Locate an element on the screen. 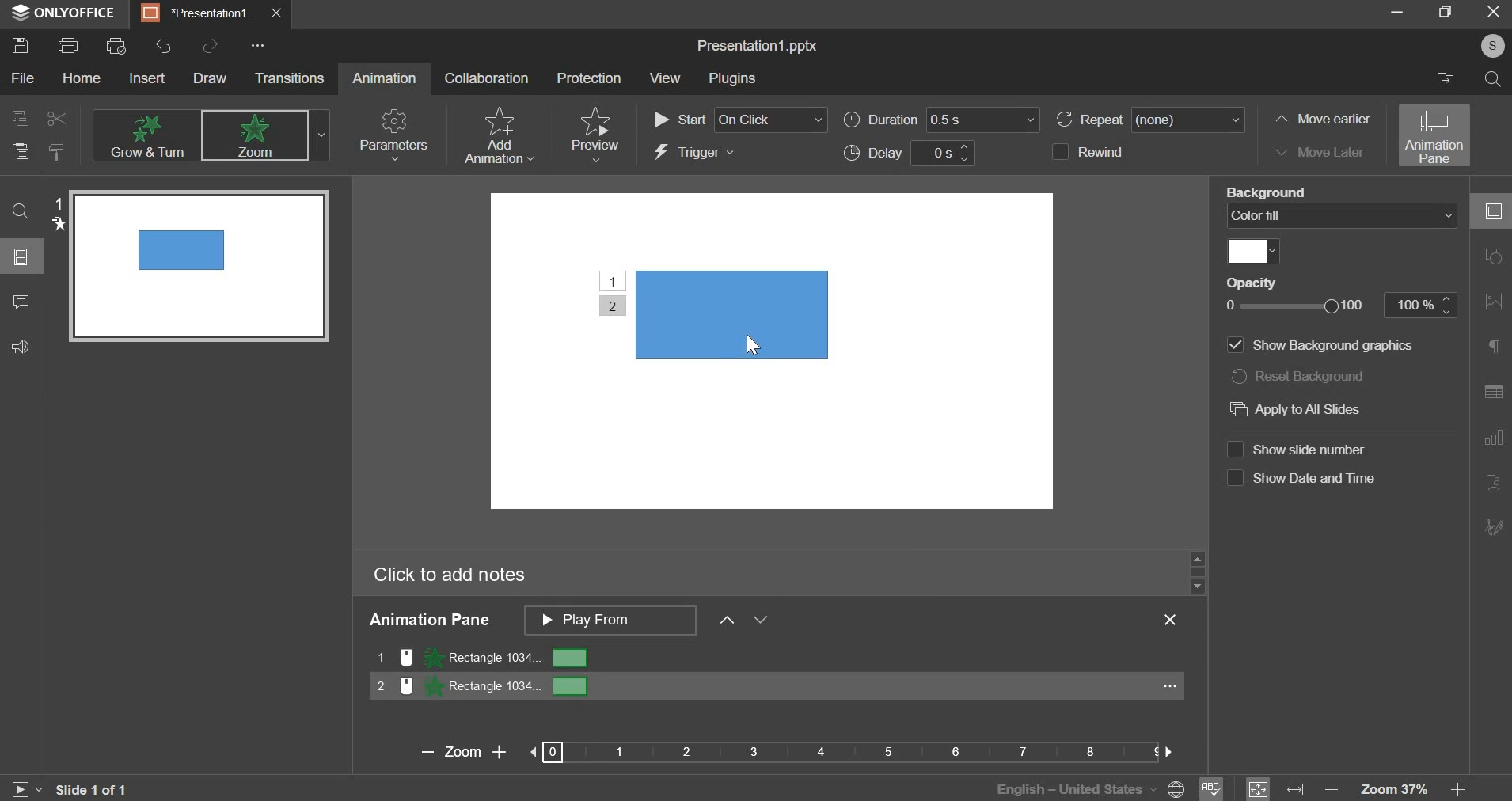 The width and height of the screenshot is (1512, 801). Opacity is located at coordinates (1258, 282).